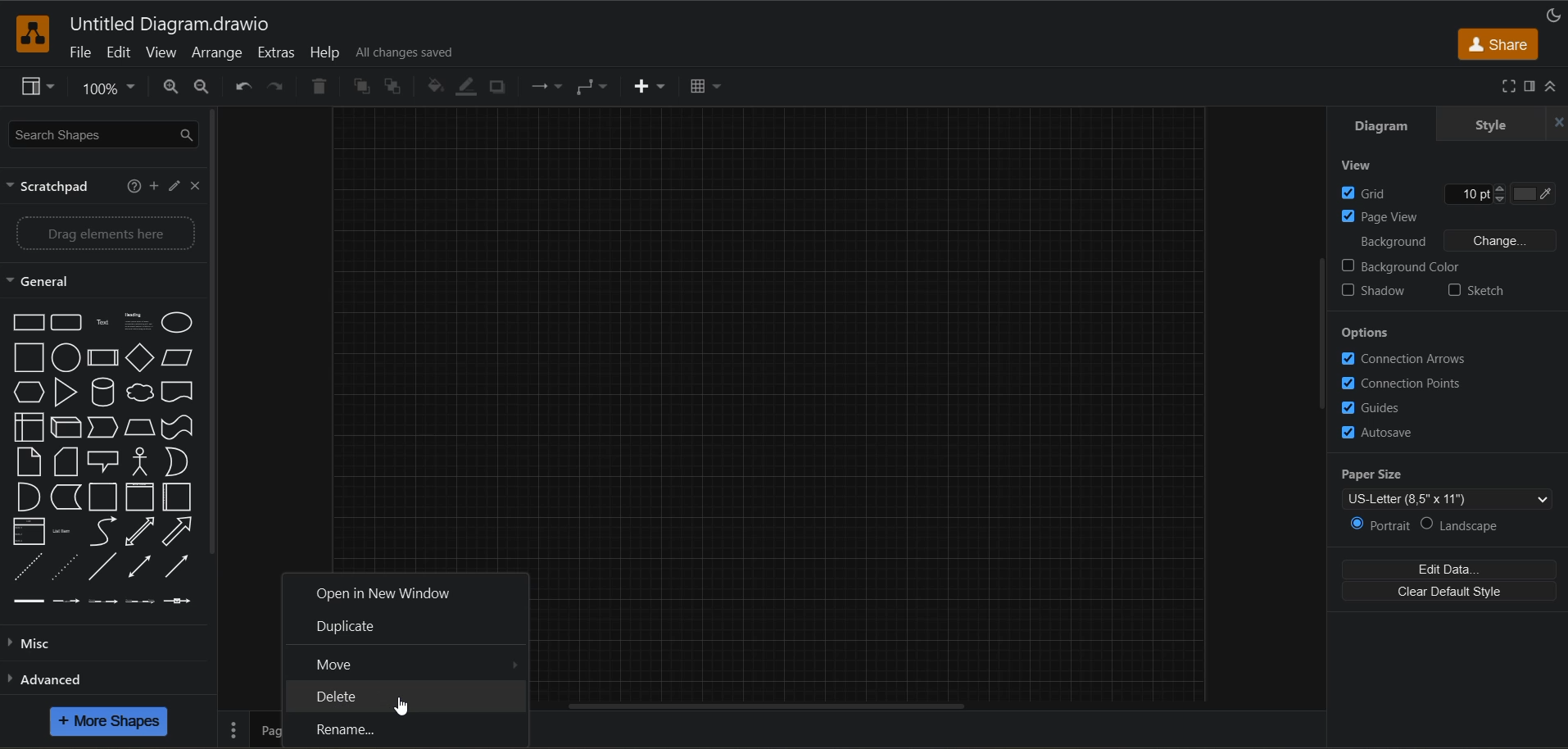 The image size is (1568, 749). Describe the element at coordinates (1407, 384) in the screenshot. I see `connection paths` at that location.